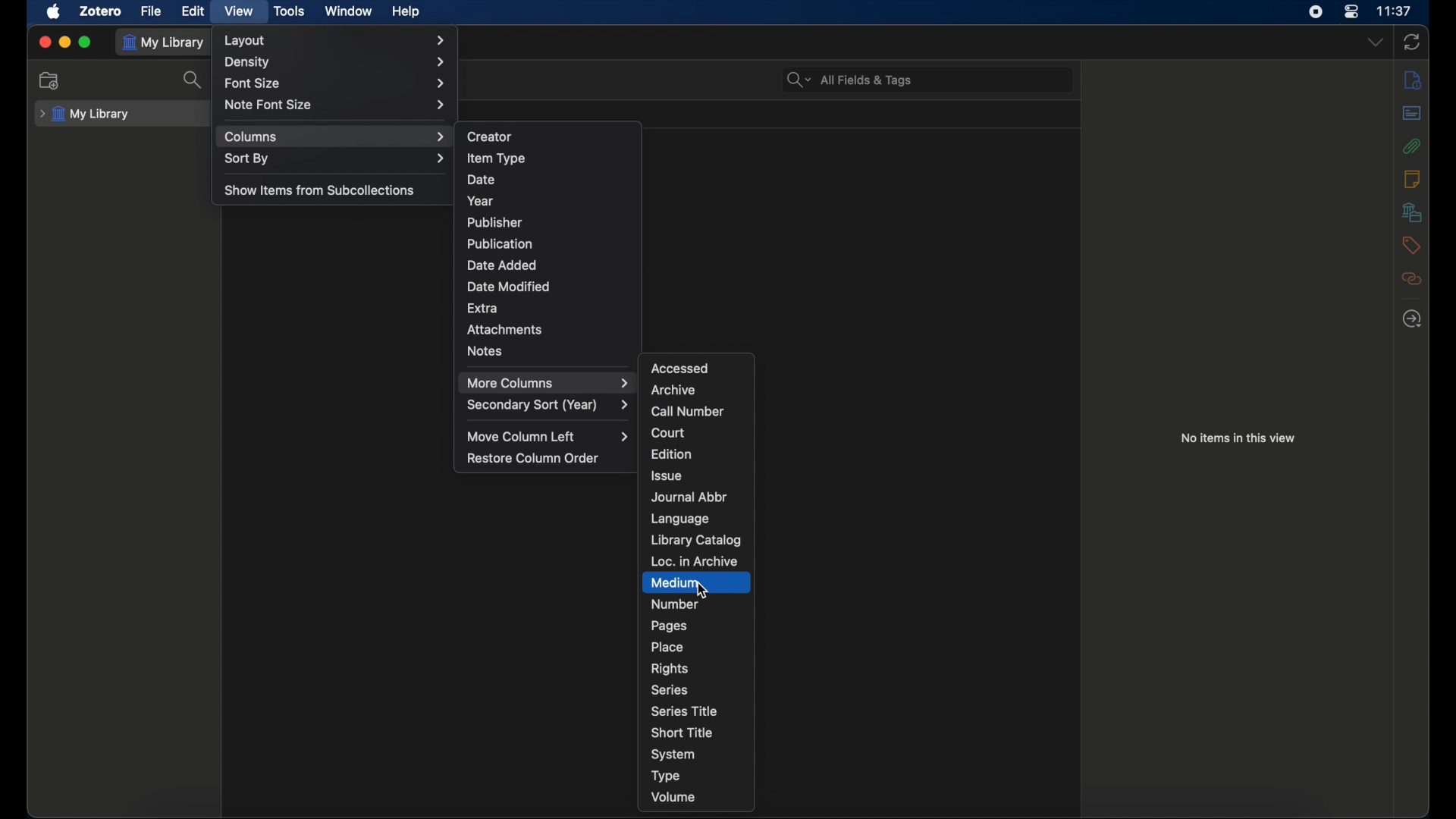 This screenshot has height=819, width=1456. What do you see at coordinates (676, 604) in the screenshot?
I see `number` at bounding box center [676, 604].